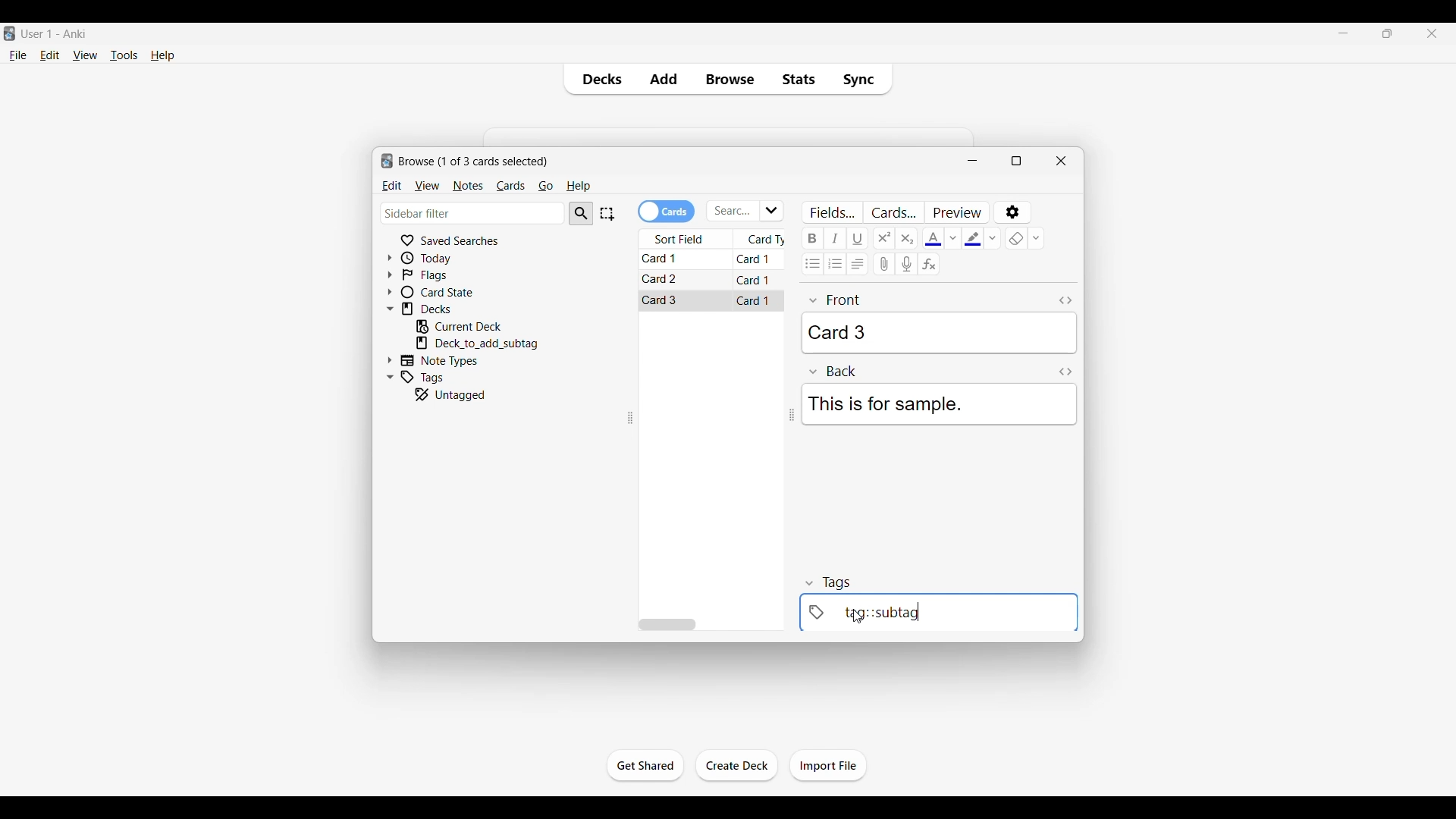 The height and width of the screenshot is (819, 1456). Describe the element at coordinates (857, 264) in the screenshot. I see `Alignment` at that location.